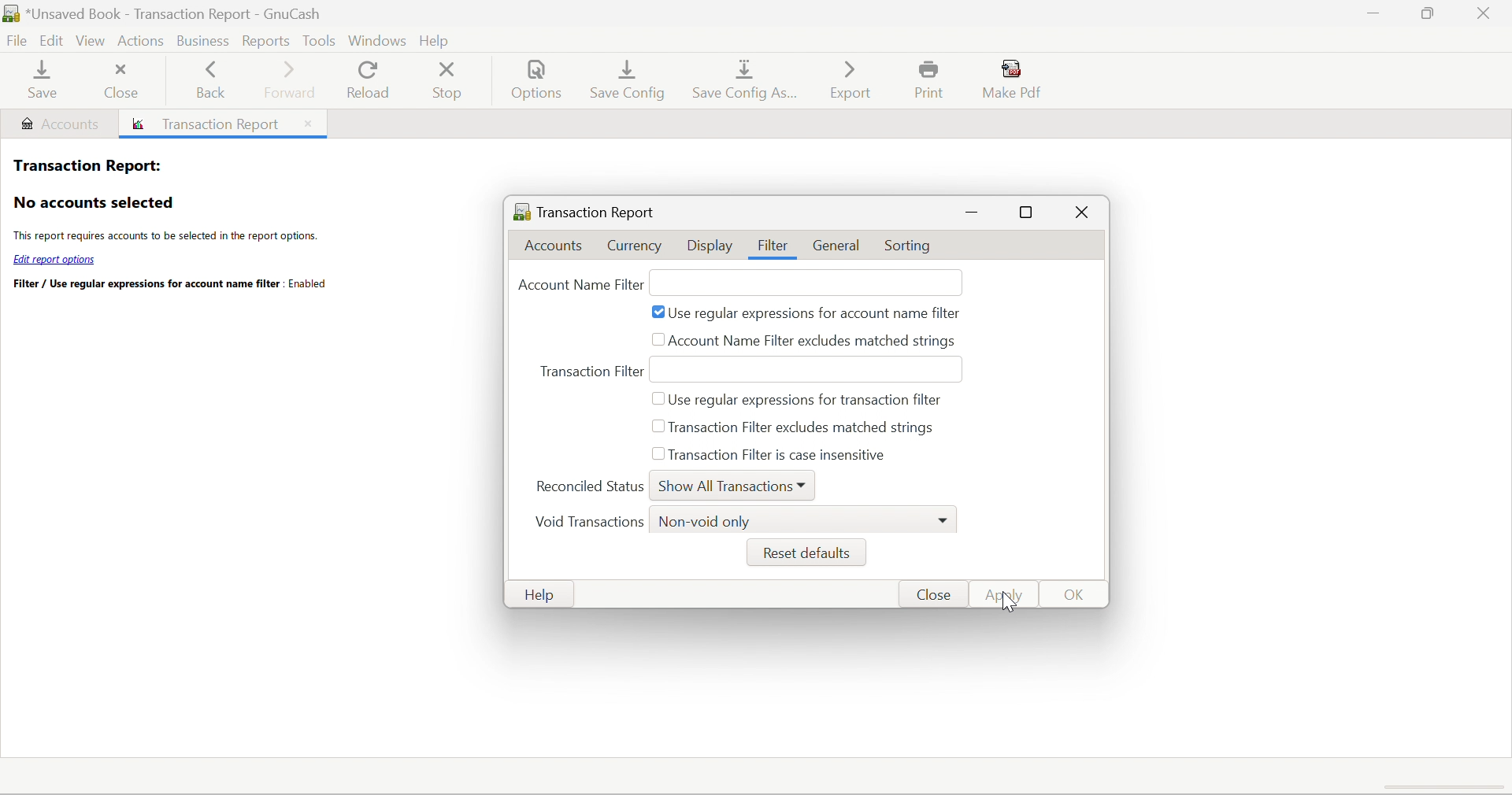 This screenshot has height=795, width=1512. Describe the element at coordinates (578, 285) in the screenshot. I see `Account Name Filter` at that location.